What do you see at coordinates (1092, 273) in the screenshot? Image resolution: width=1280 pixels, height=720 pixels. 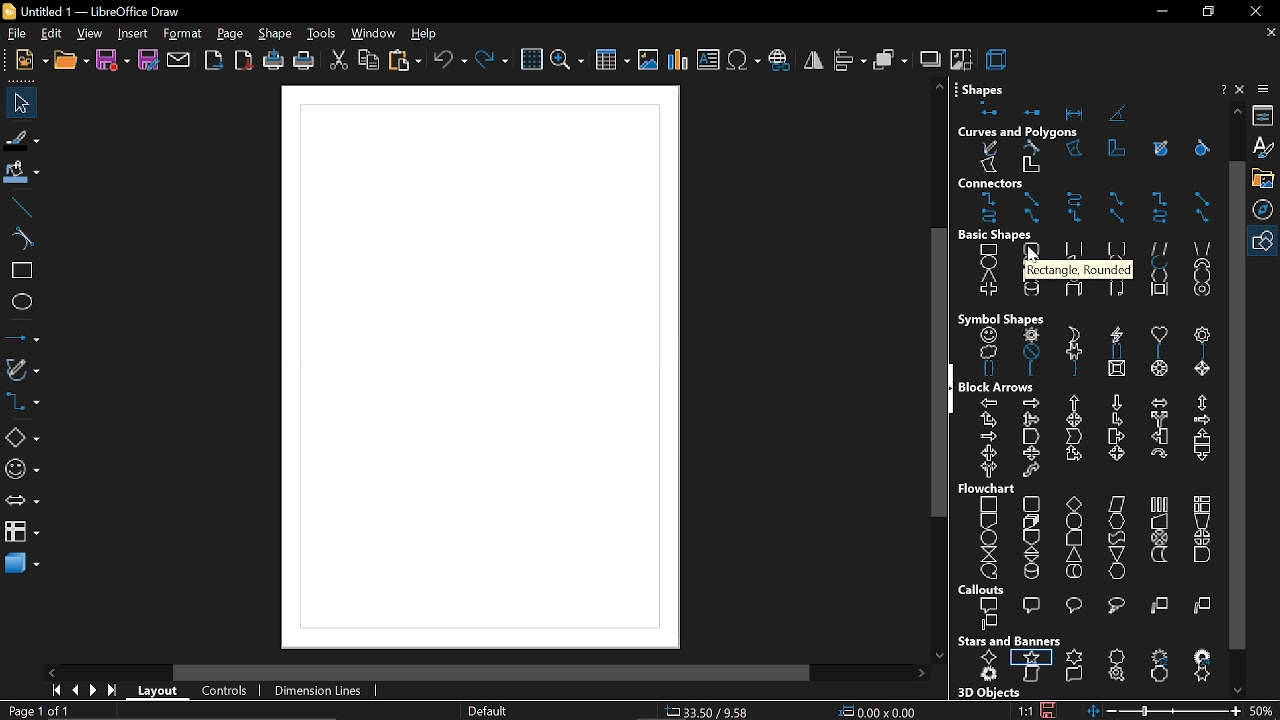 I see `basic shapes` at bounding box center [1092, 273].